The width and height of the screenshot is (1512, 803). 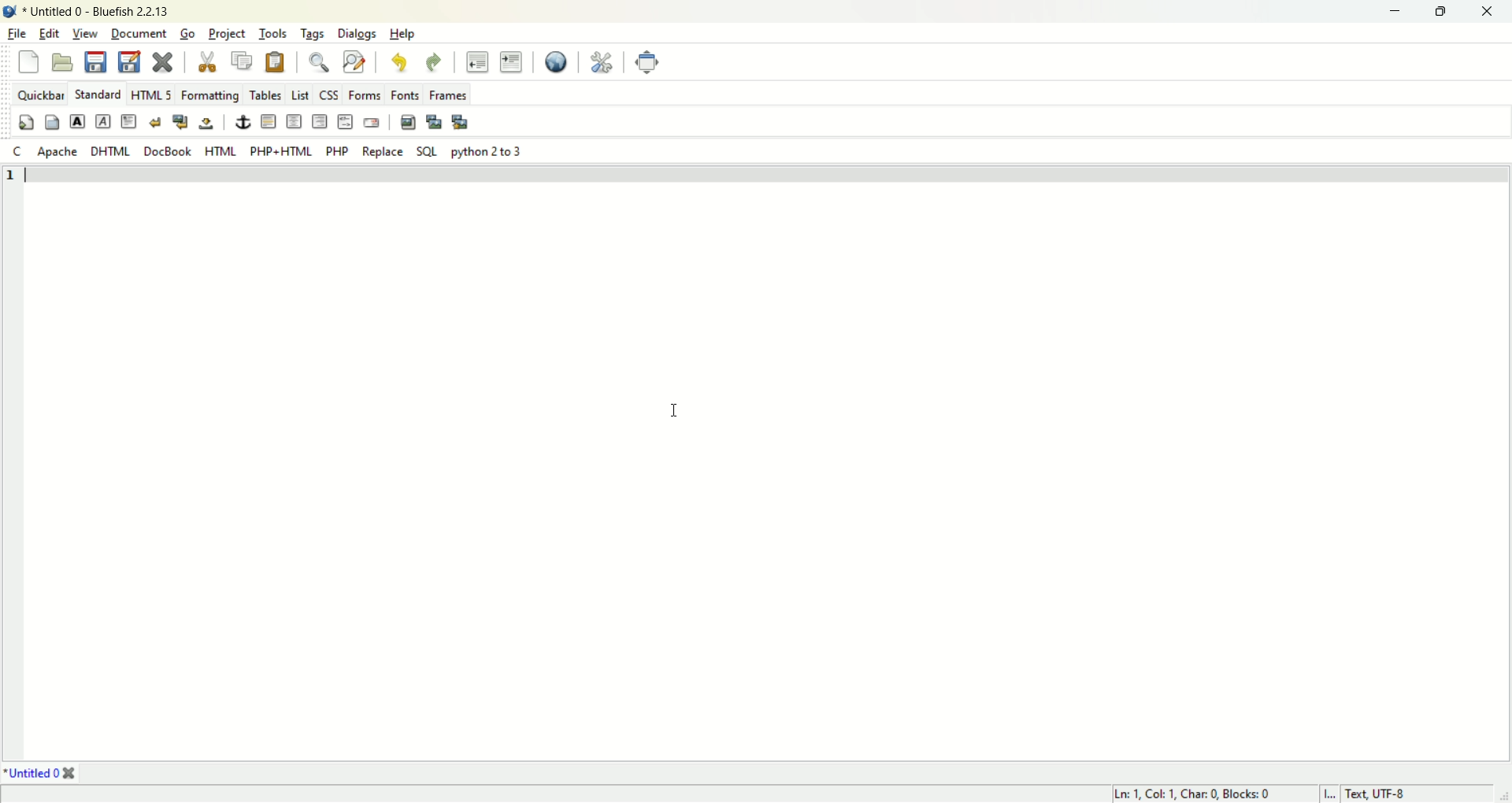 I want to click on indent, so click(x=512, y=62).